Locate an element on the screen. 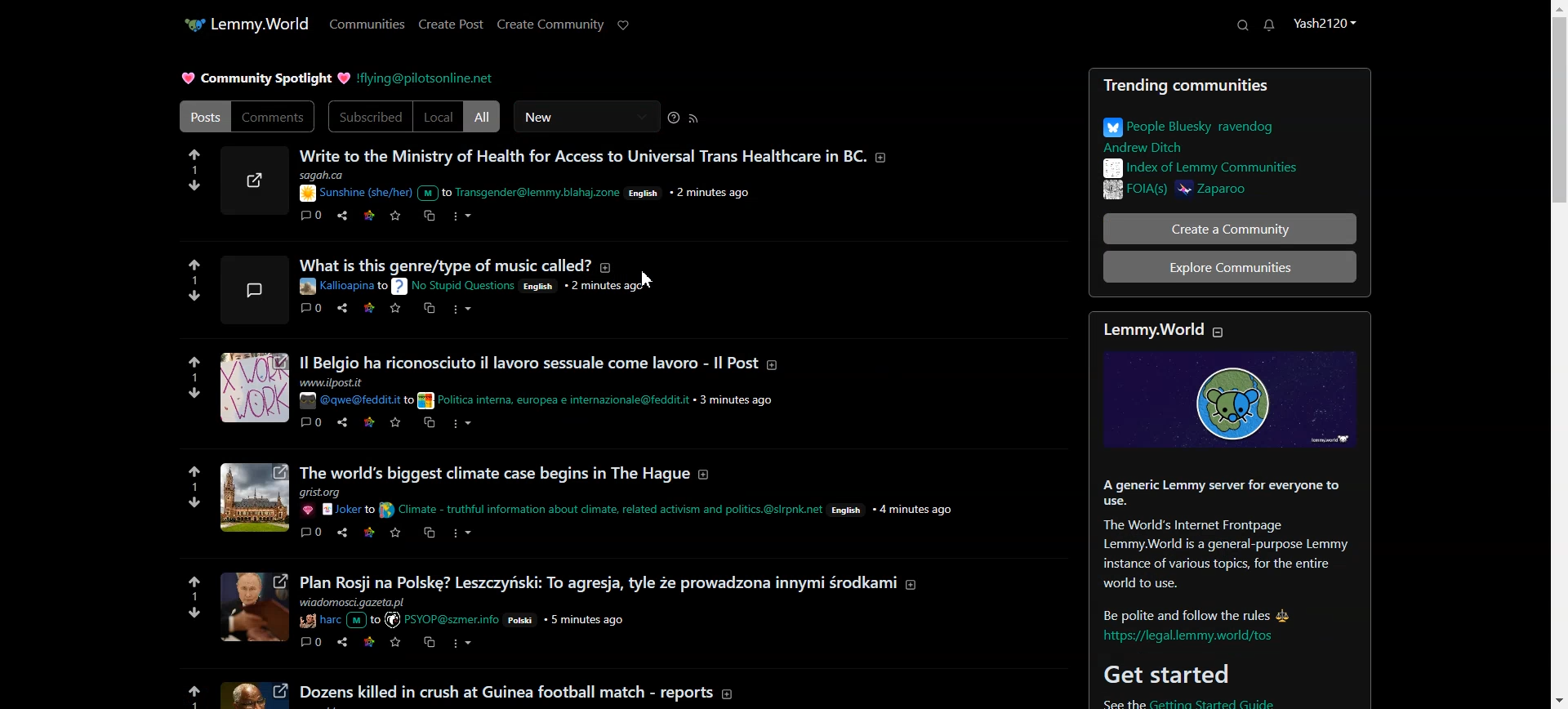  Share is located at coordinates (341, 216).